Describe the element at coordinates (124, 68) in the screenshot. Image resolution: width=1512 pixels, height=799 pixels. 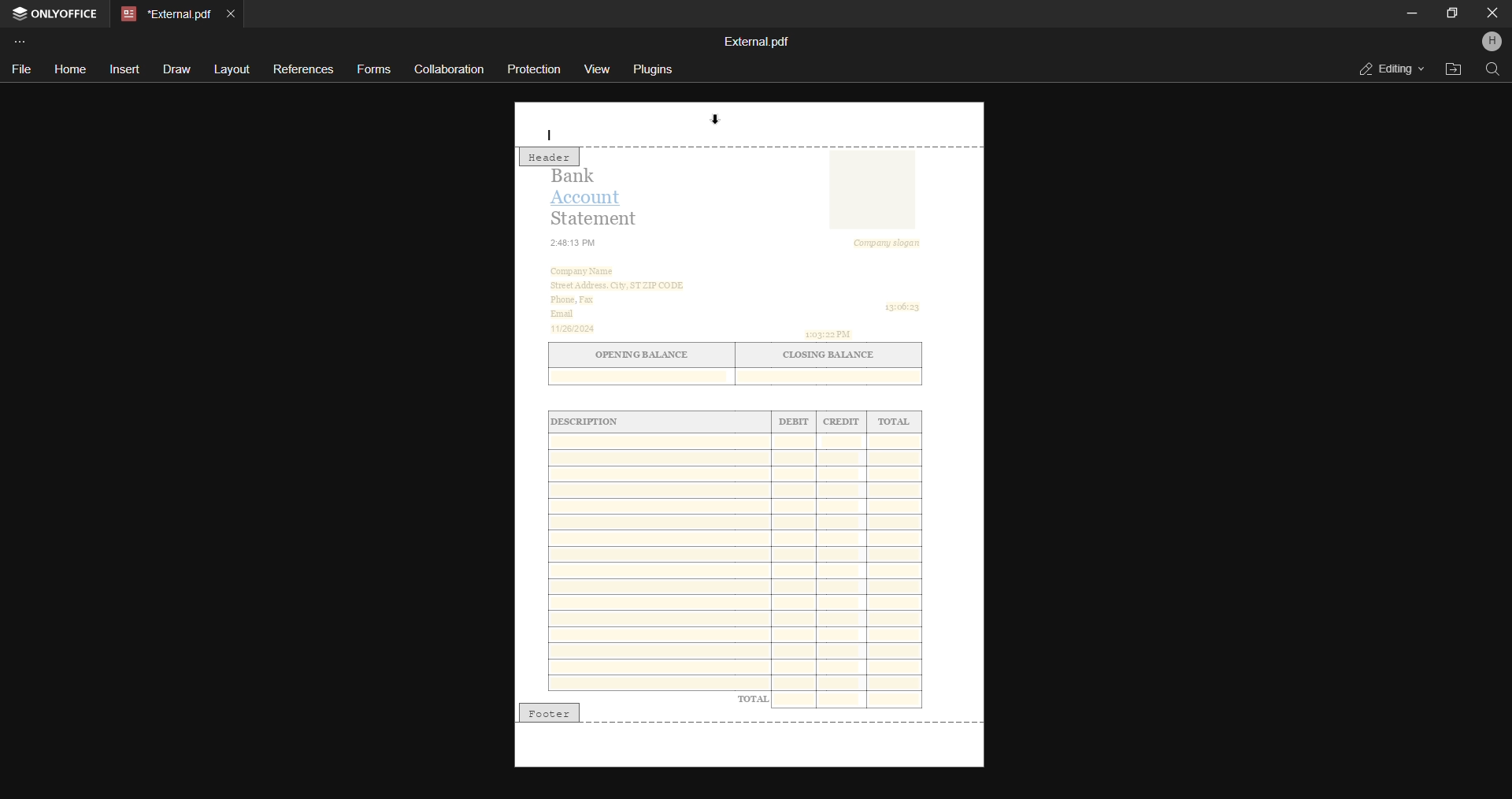
I see `insert` at that location.